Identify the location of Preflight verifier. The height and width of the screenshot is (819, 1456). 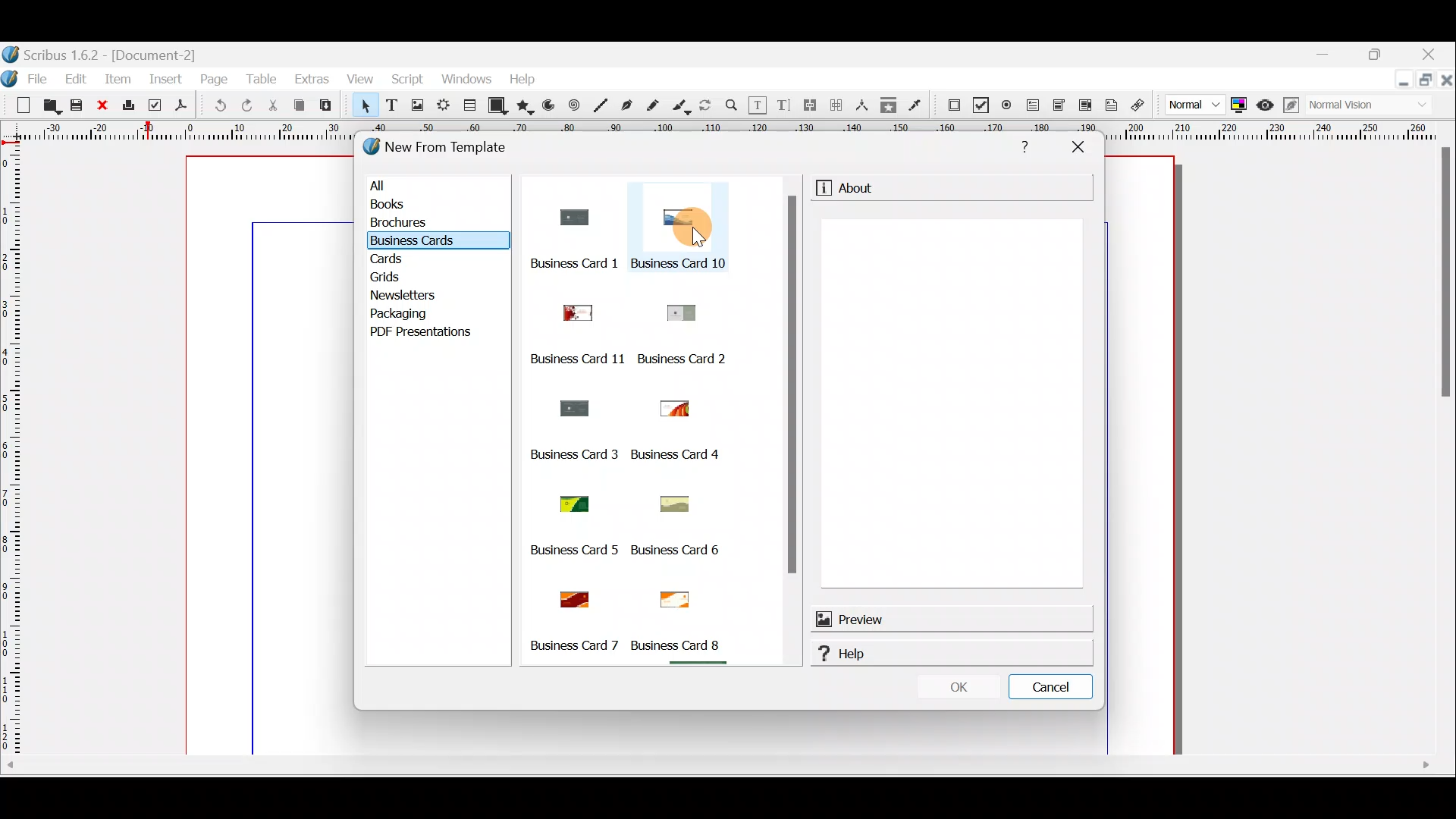
(152, 105).